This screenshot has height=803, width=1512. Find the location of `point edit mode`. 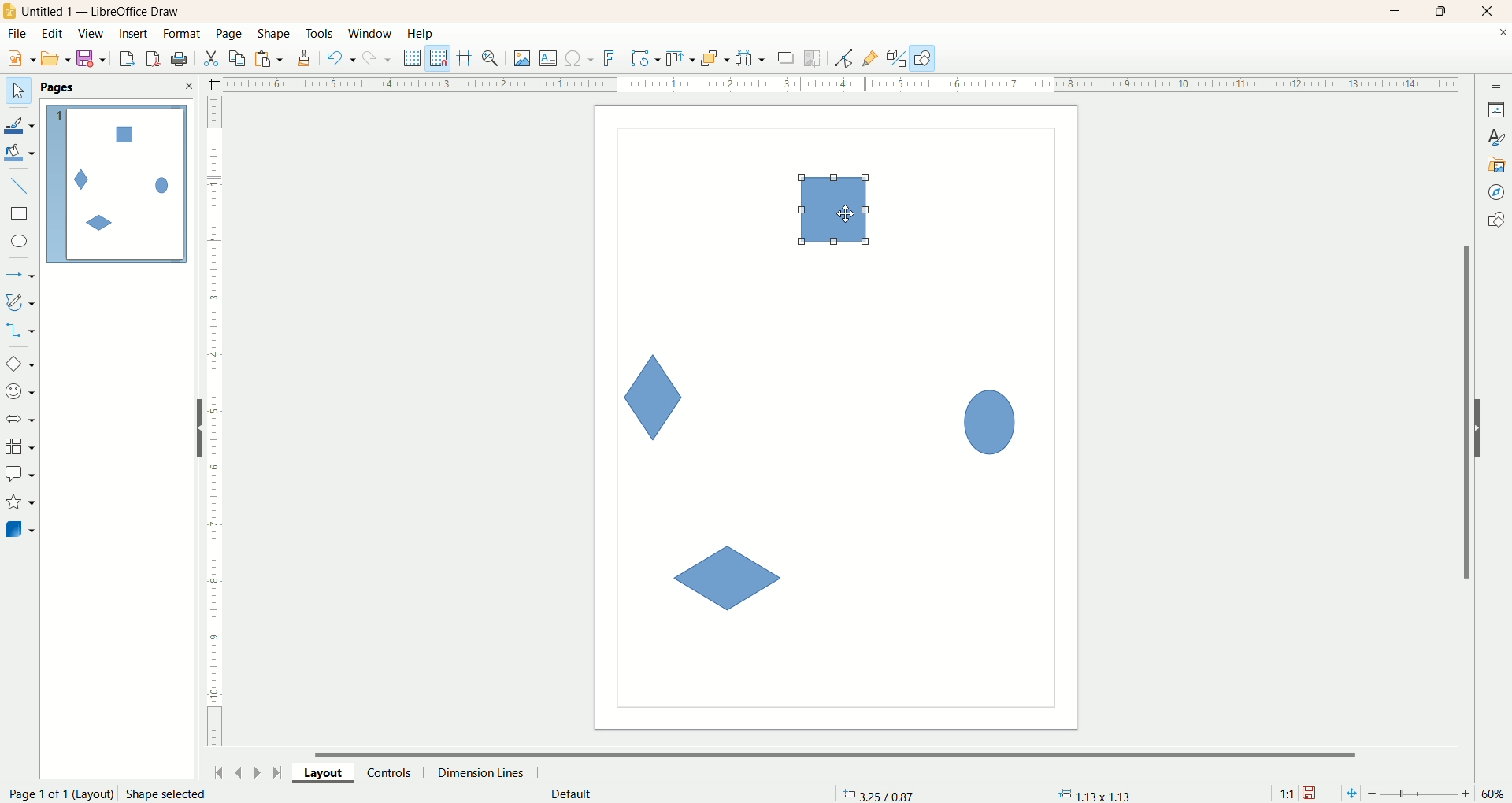

point edit mode is located at coordinates (843, 59).